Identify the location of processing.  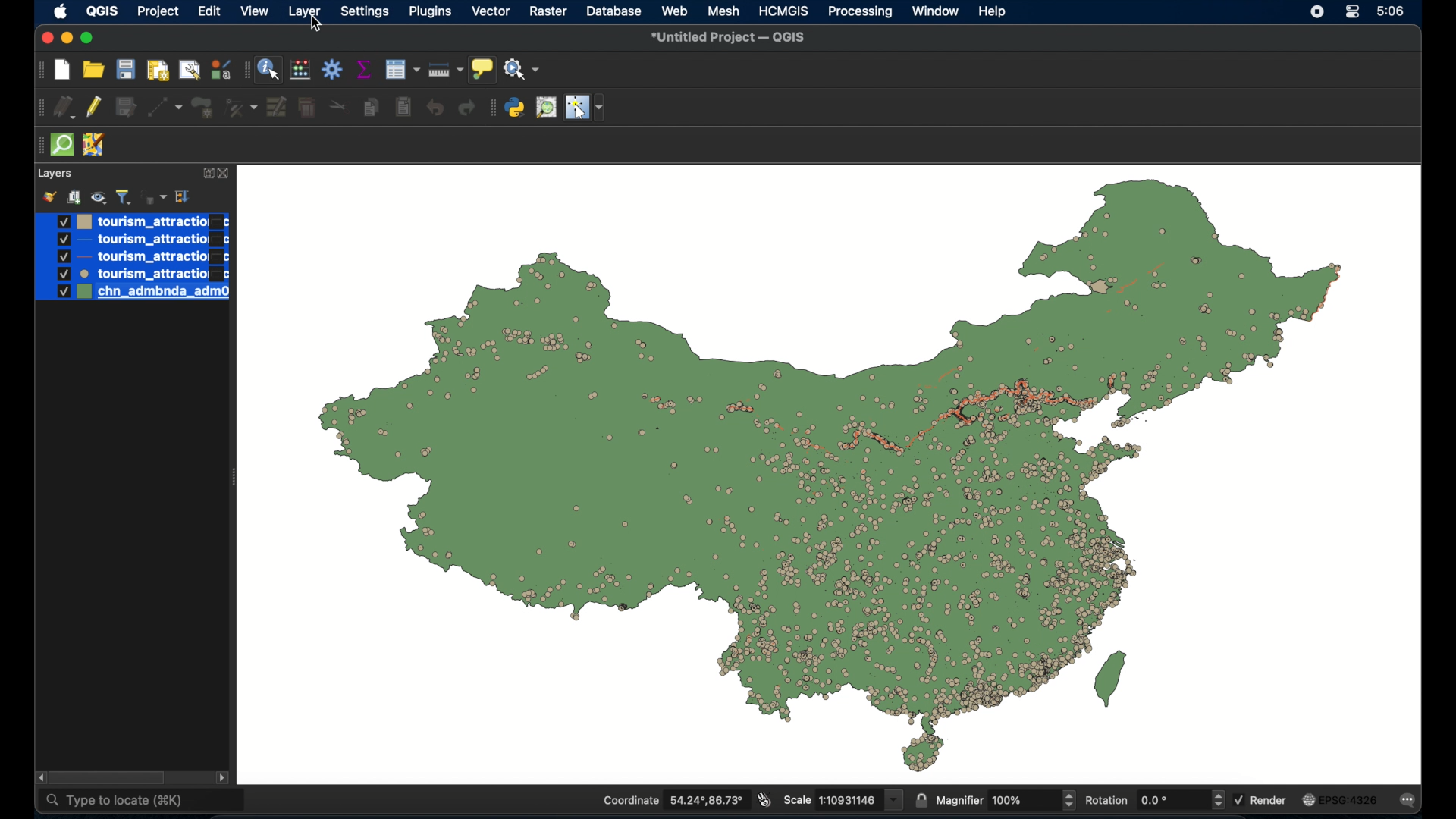
(859, 12).